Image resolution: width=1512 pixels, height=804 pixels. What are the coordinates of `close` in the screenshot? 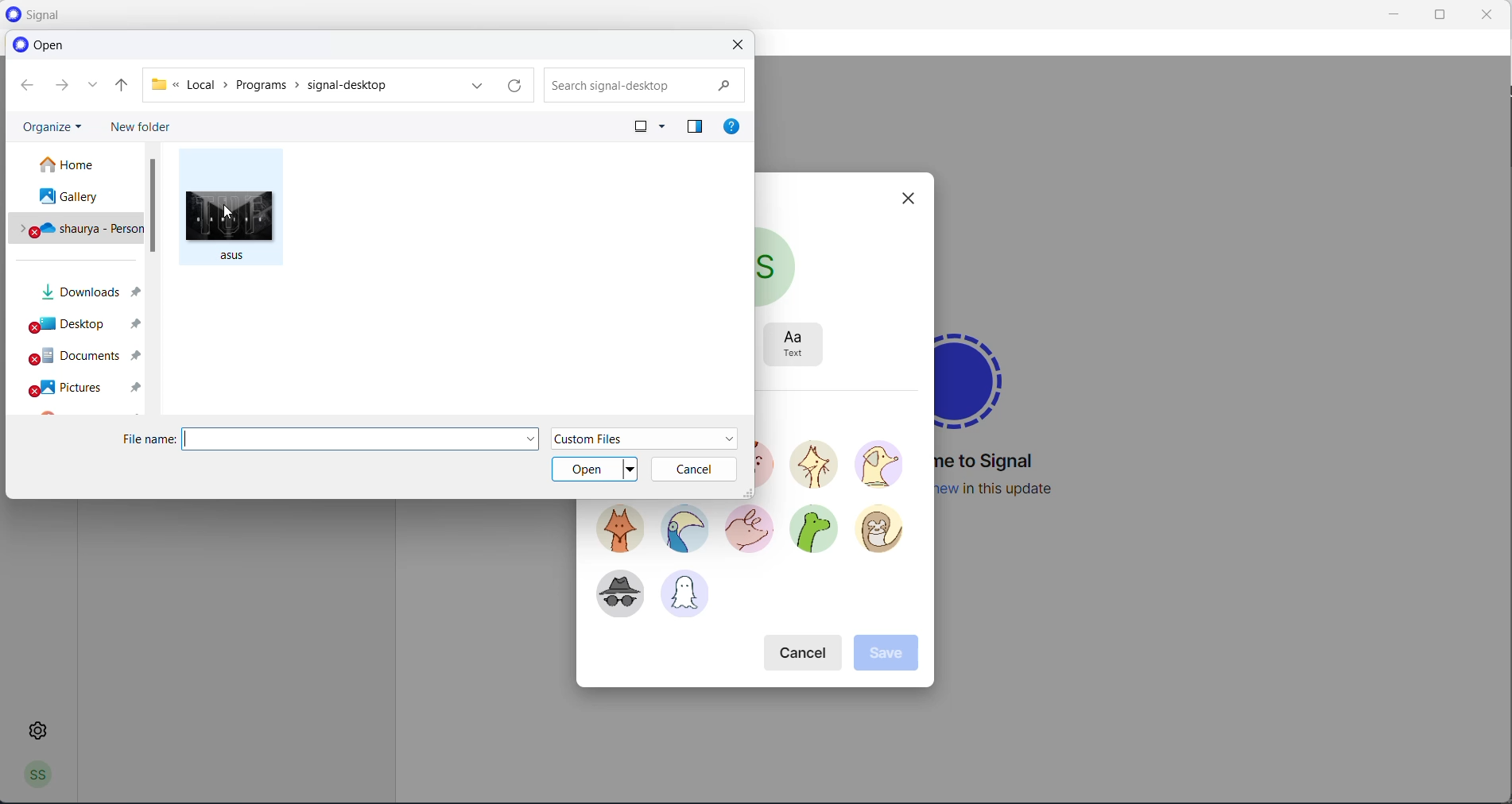 It's located at (903, 199).